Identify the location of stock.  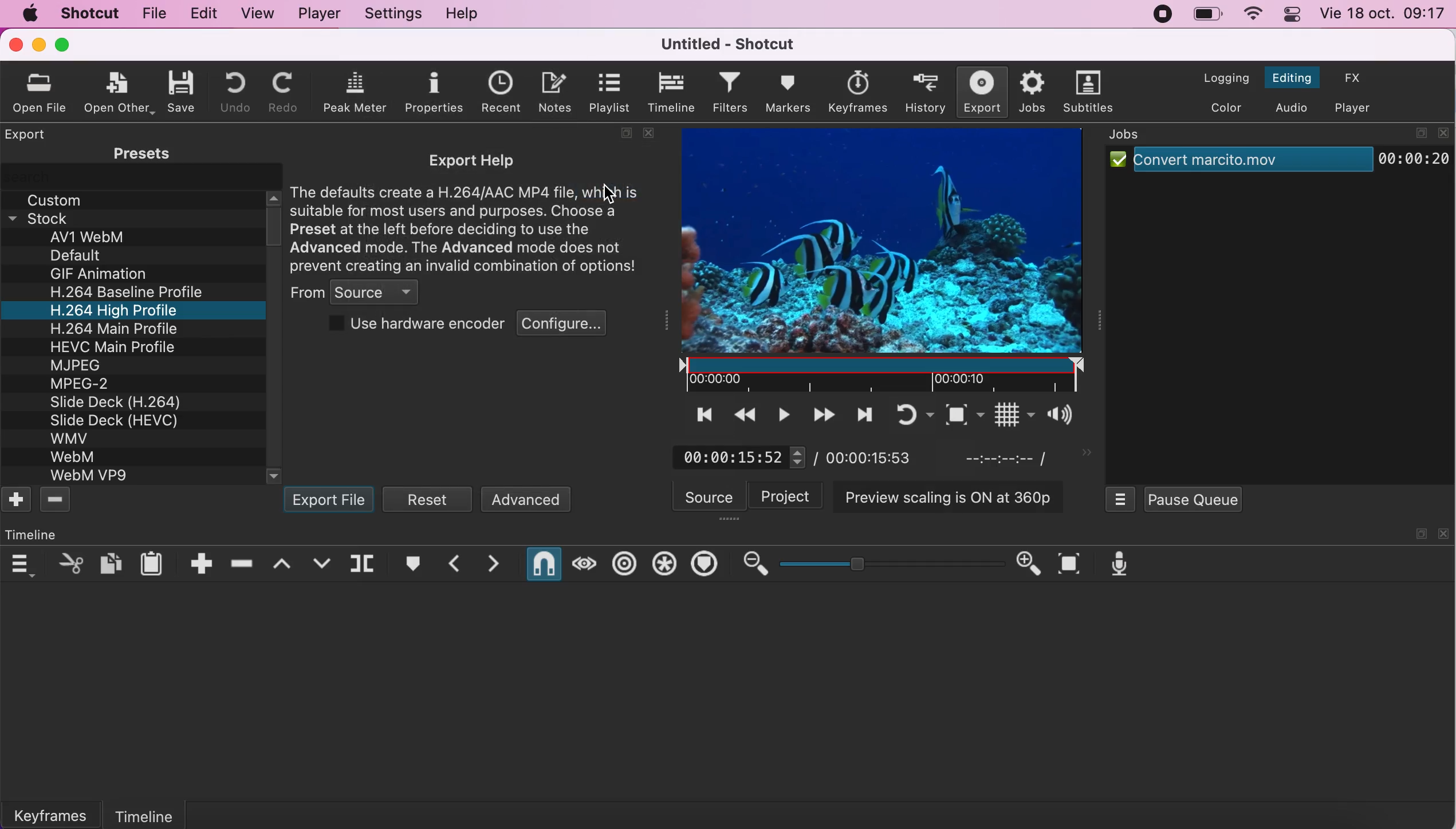
(53, 217).